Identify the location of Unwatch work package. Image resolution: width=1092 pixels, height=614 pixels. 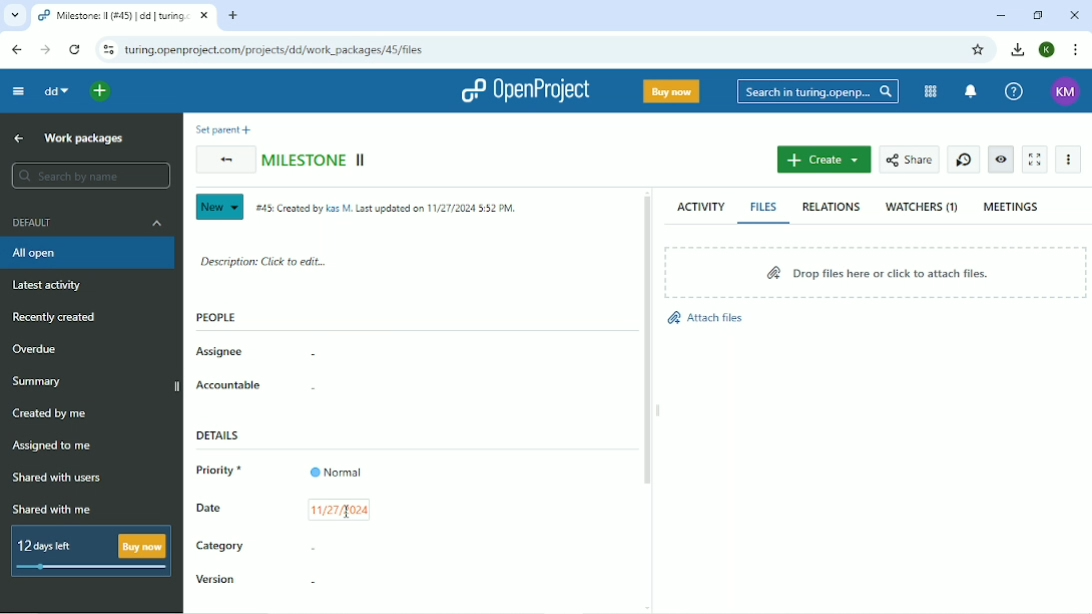
(1000, 160).